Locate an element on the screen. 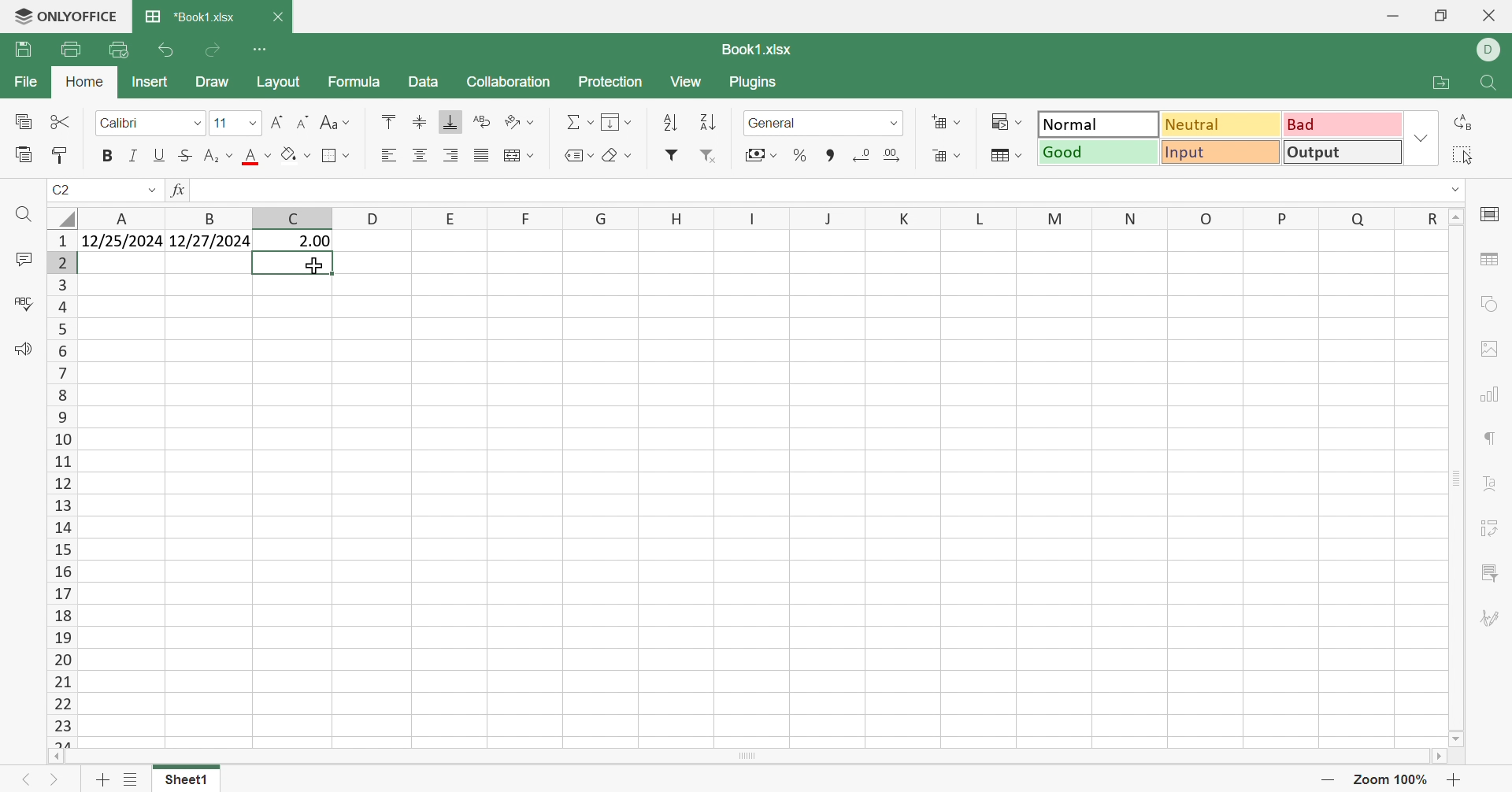  Plugins is located at coordinates (755, 85).